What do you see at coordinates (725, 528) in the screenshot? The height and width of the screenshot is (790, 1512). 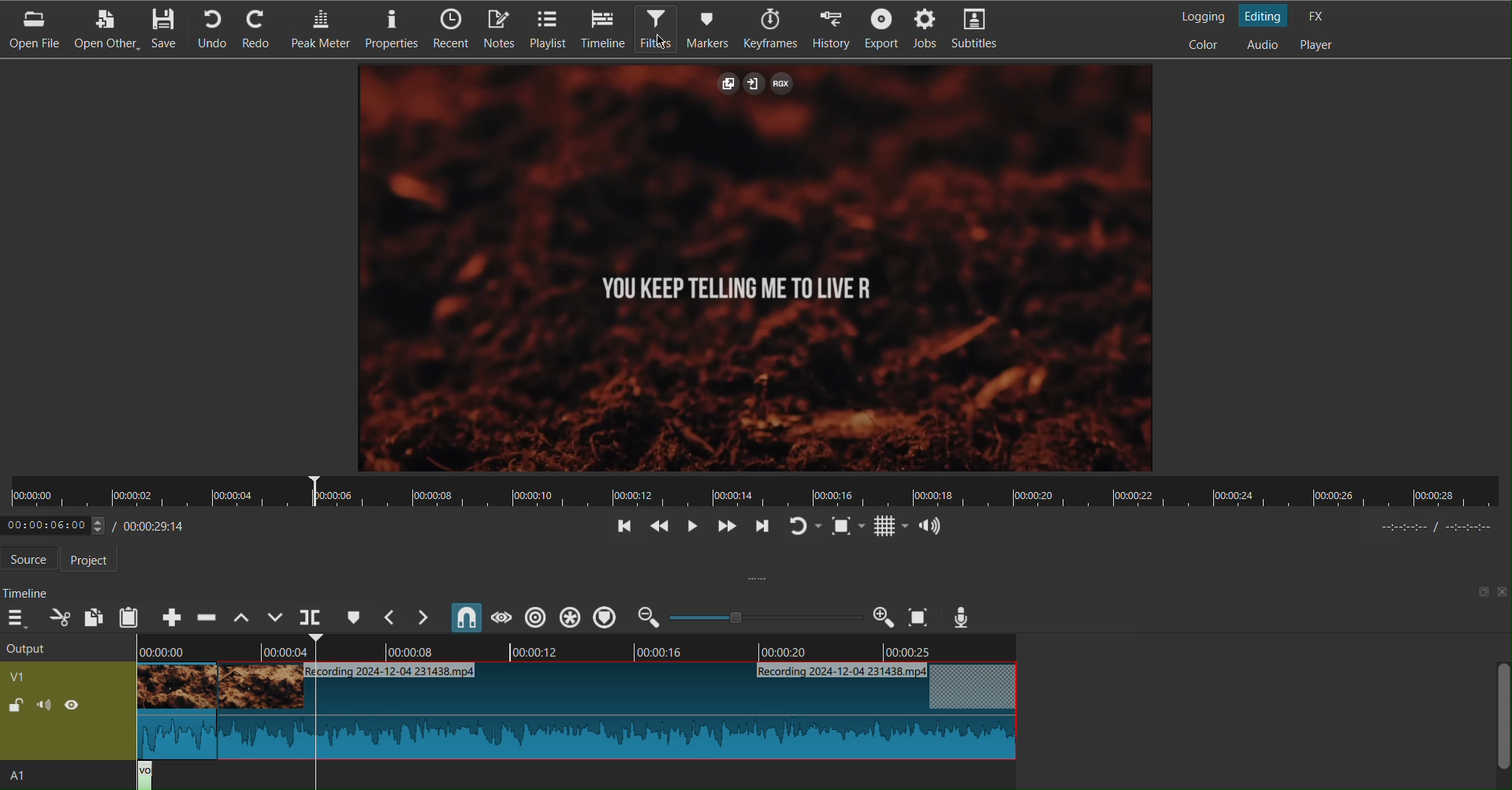 I see `Move Forwards` at bounding box center [725, 528].